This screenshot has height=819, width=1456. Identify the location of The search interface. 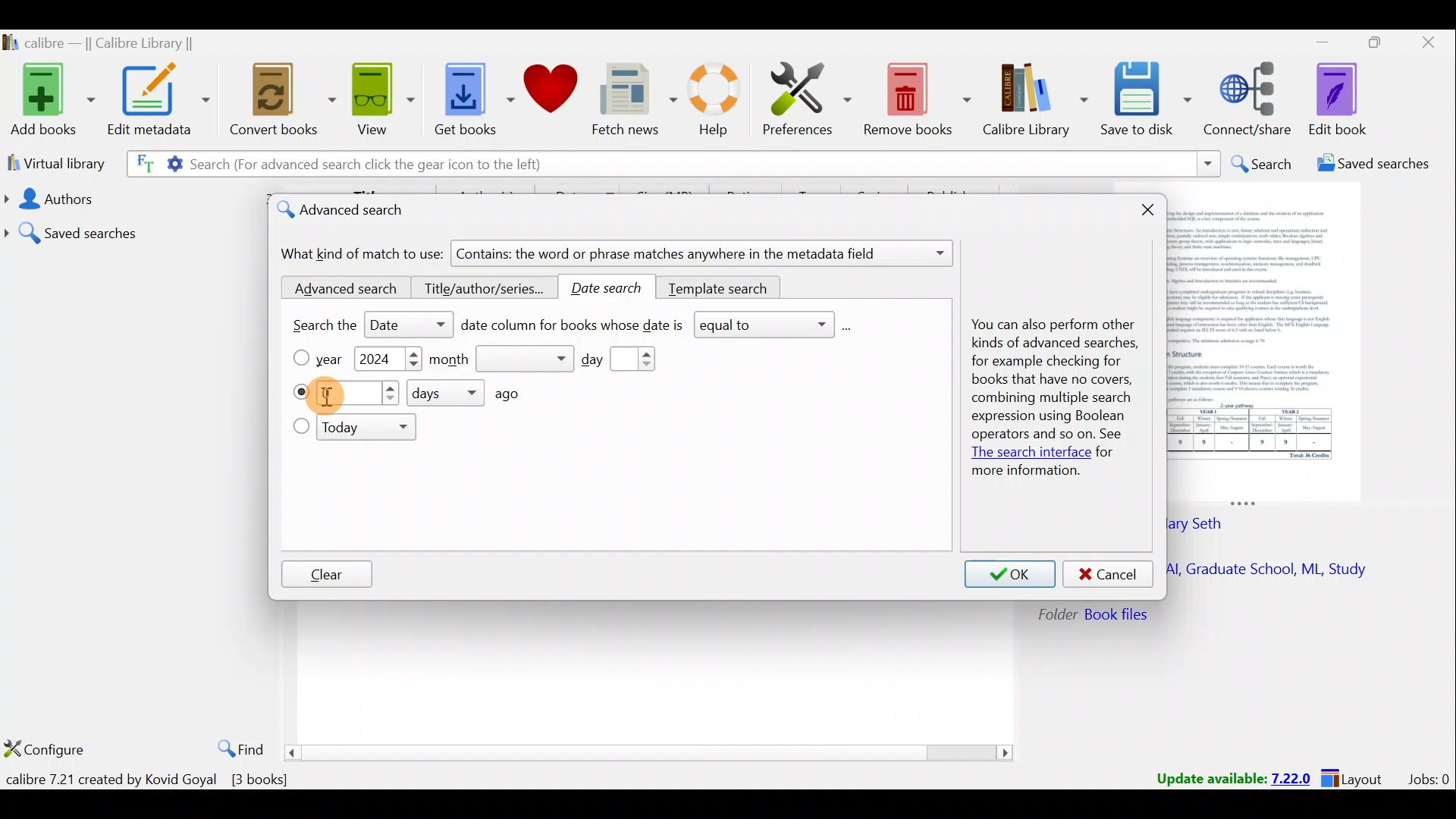
(1028, 454).